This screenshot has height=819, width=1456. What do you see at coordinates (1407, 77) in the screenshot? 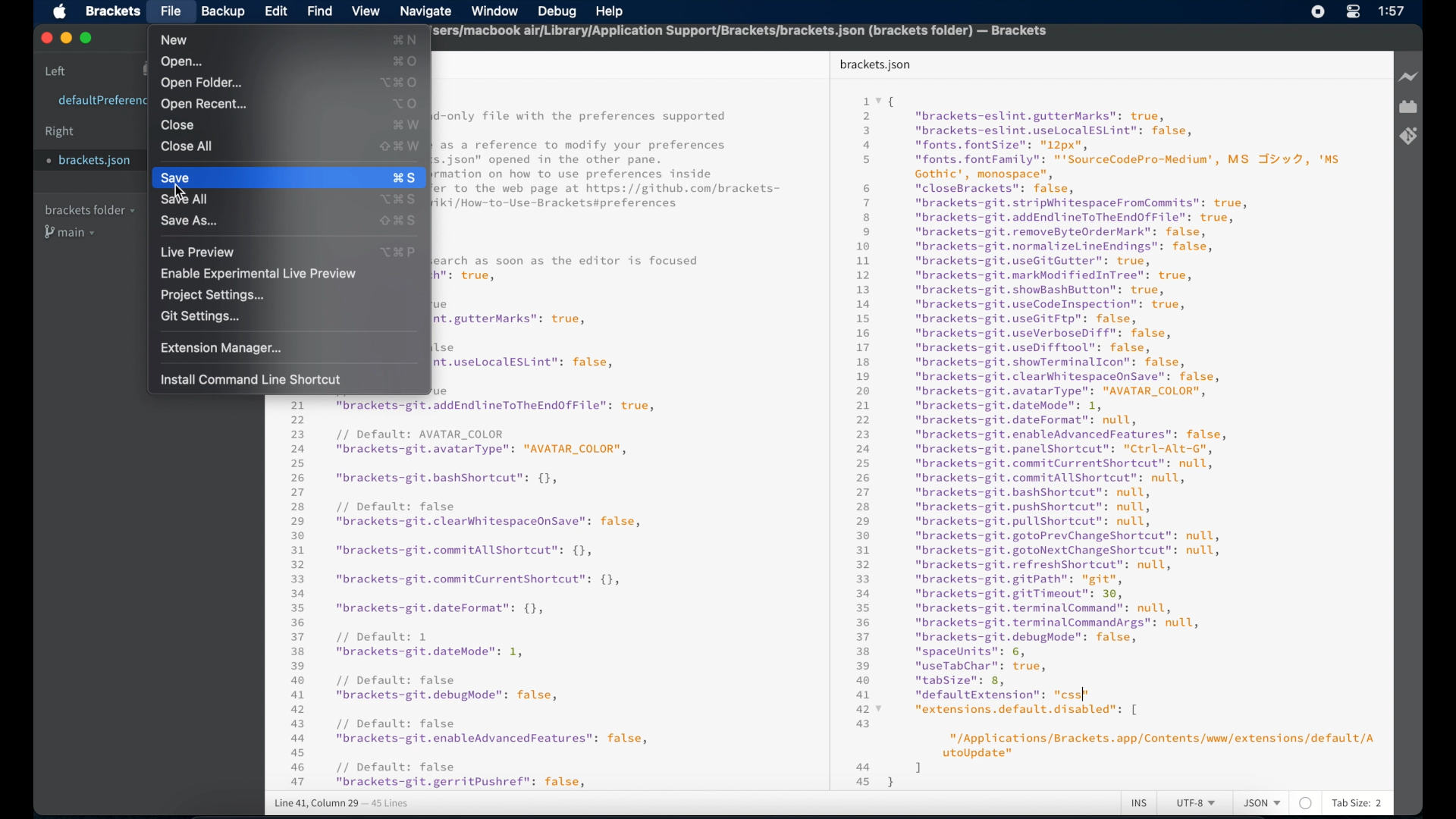
I see `live preview` at bounding box center [1407, 77].